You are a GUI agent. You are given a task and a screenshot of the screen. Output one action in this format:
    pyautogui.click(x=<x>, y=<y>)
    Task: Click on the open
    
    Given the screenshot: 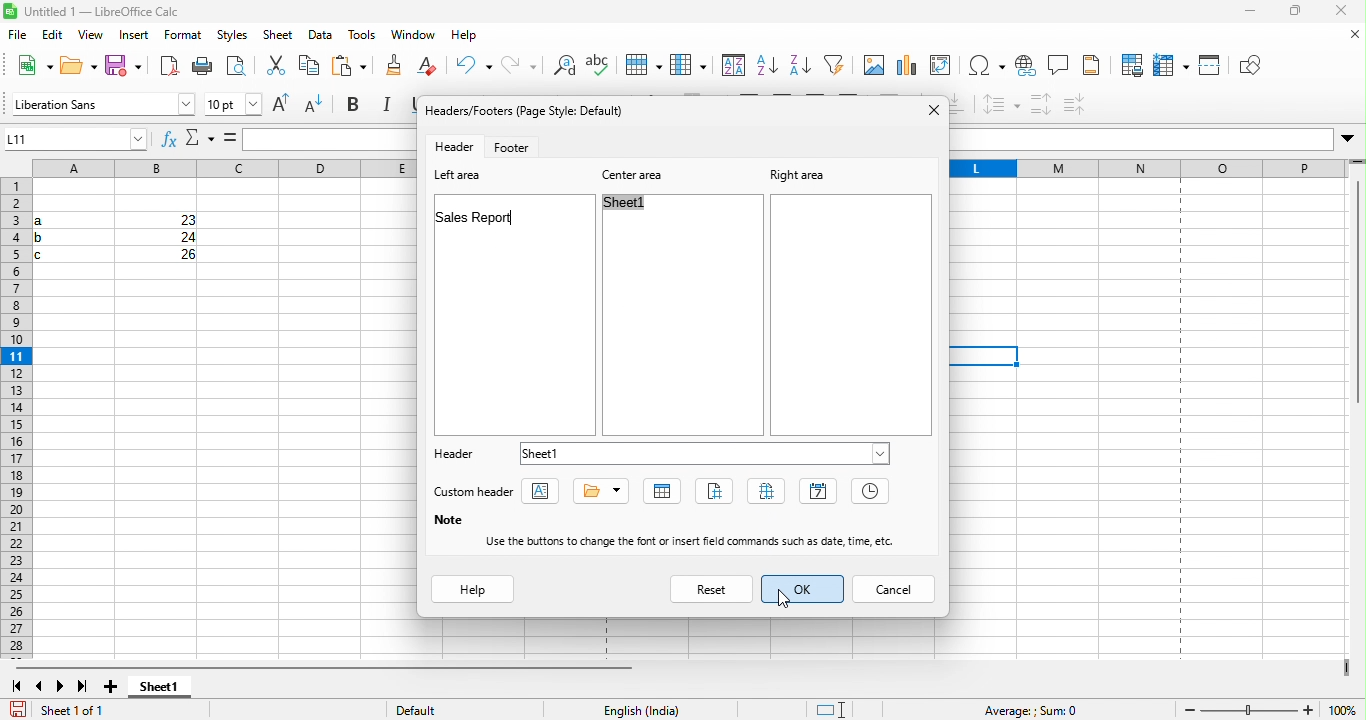 What is the action you would take?
    pyautogui.click(x=78, y=67)
    